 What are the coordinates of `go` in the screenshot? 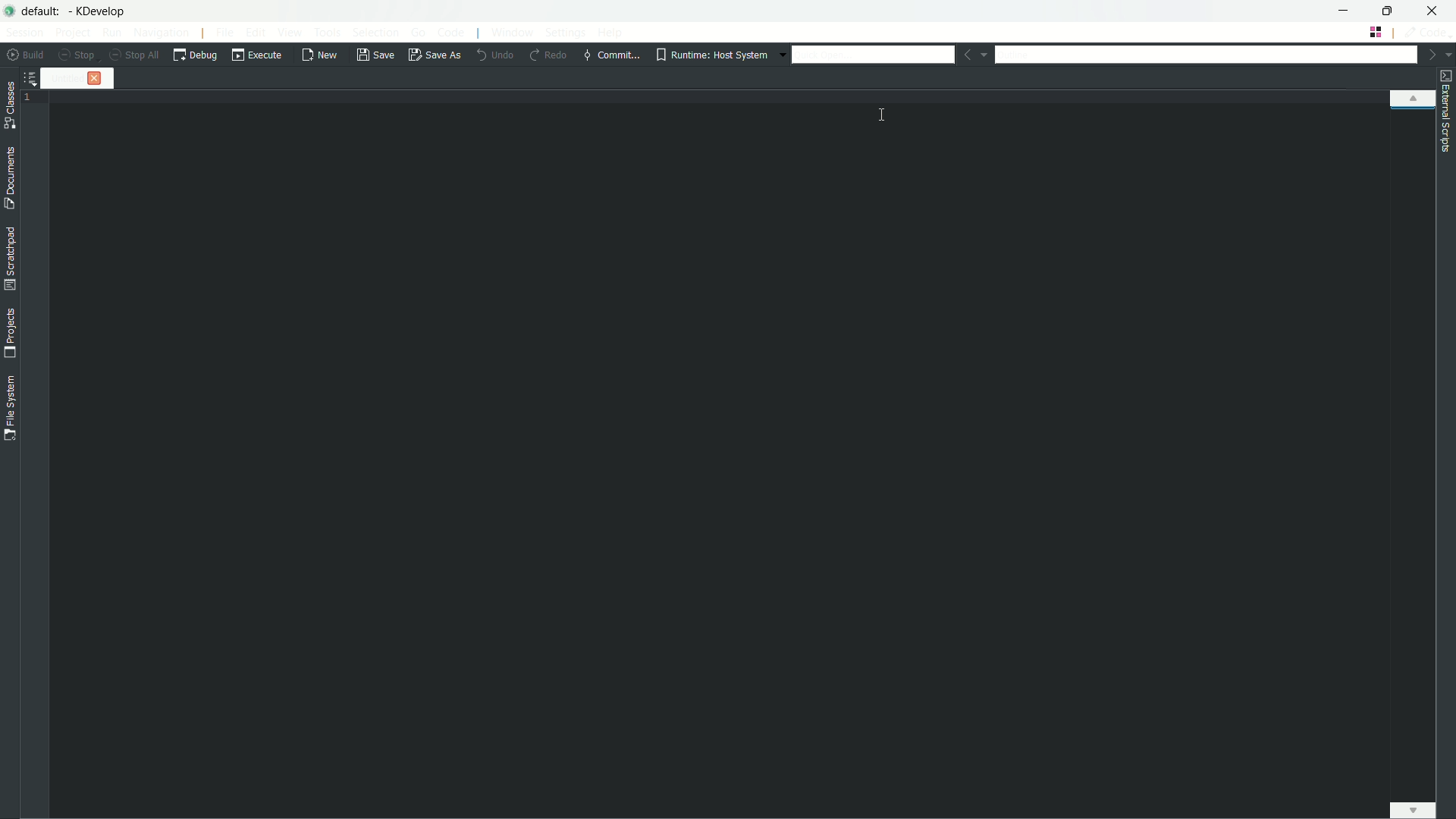 It's located at (420, 32).